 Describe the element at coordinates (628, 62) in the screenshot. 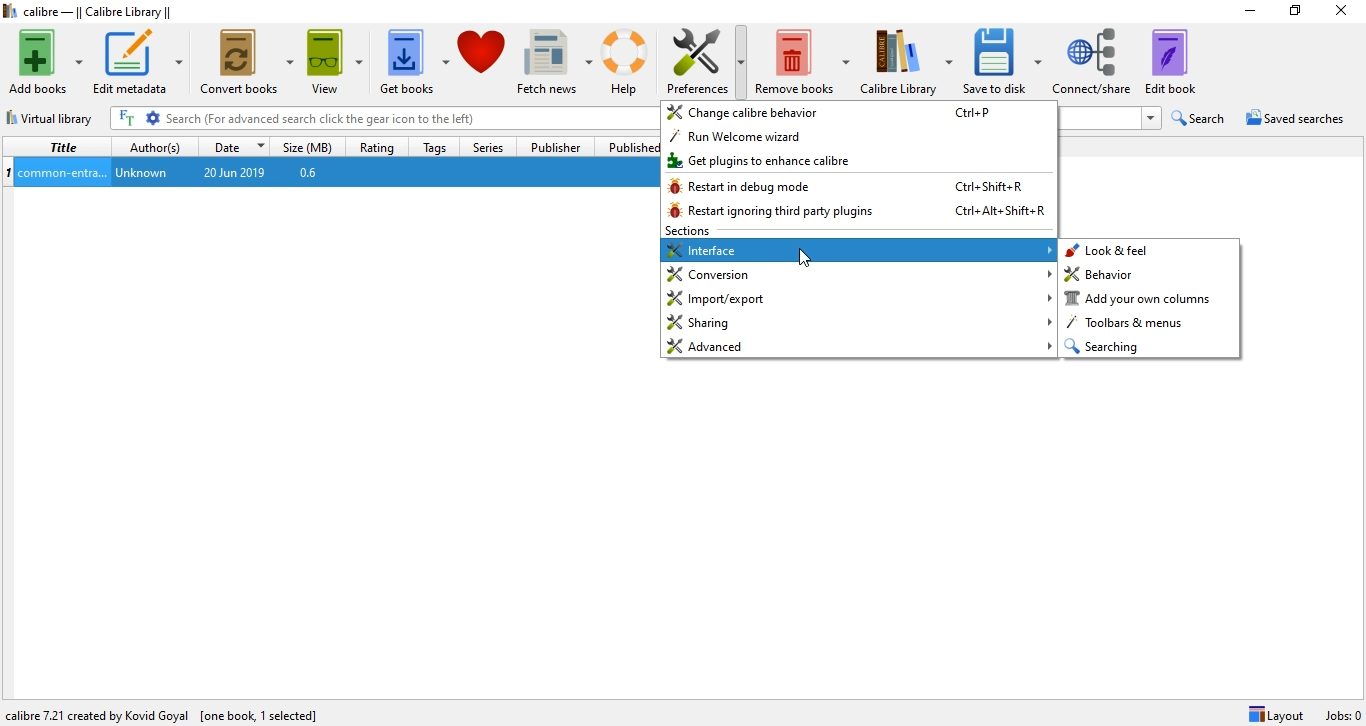

I see `Help` at that location.